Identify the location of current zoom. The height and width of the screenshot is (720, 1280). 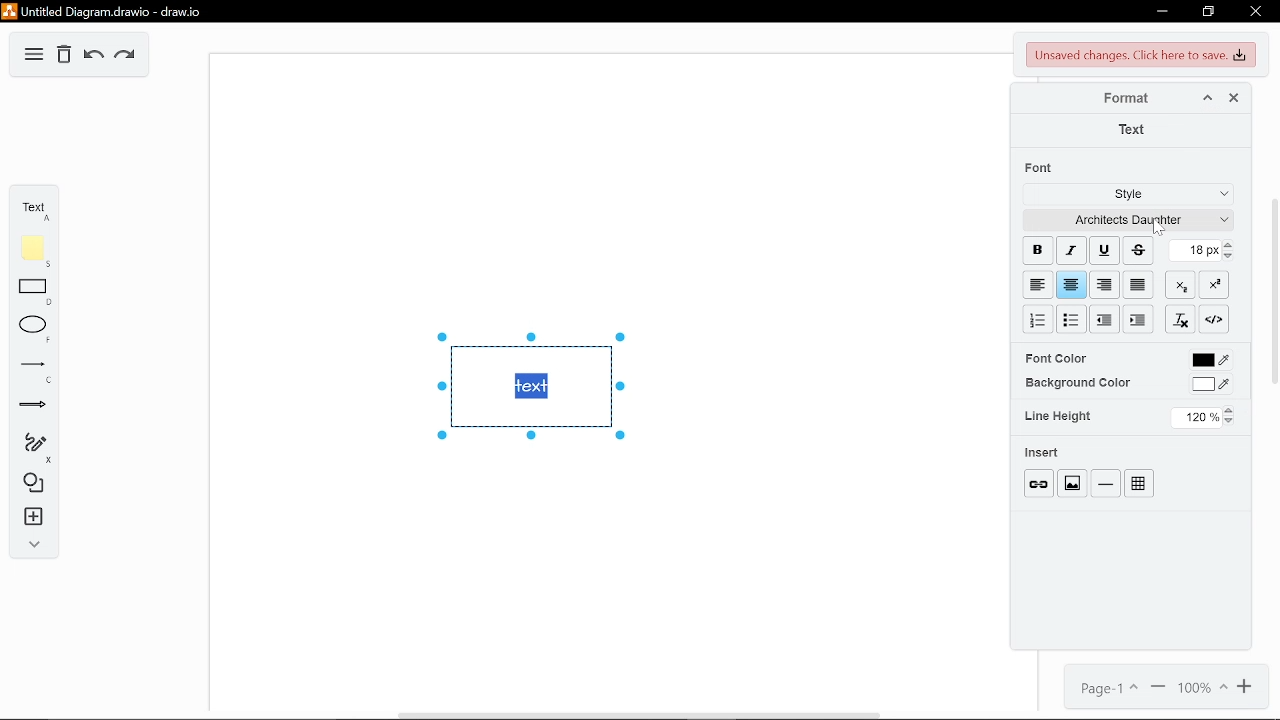
(1202, 689).